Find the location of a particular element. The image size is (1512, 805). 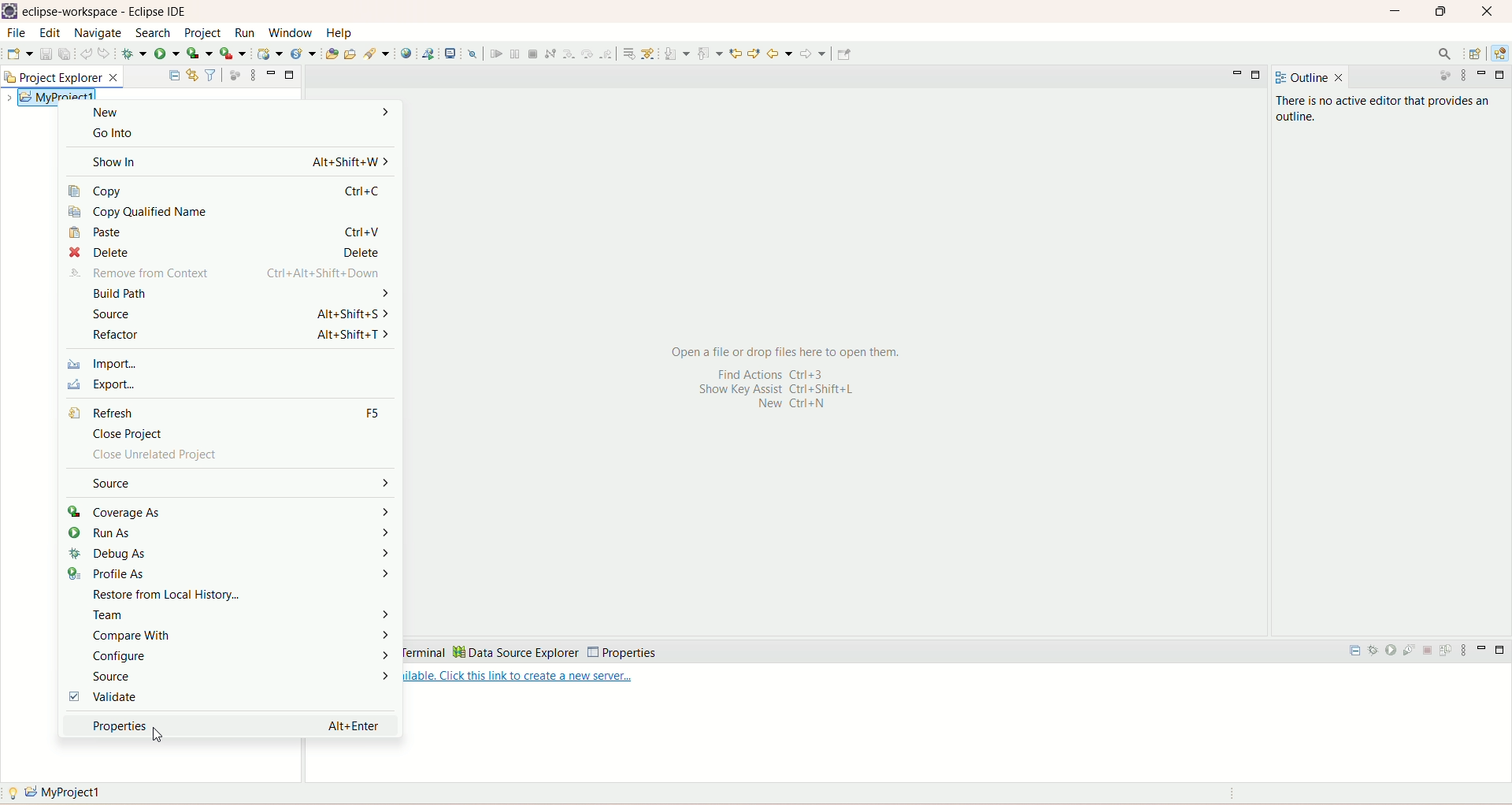

focus on active task is located at coordinates (233, 74).